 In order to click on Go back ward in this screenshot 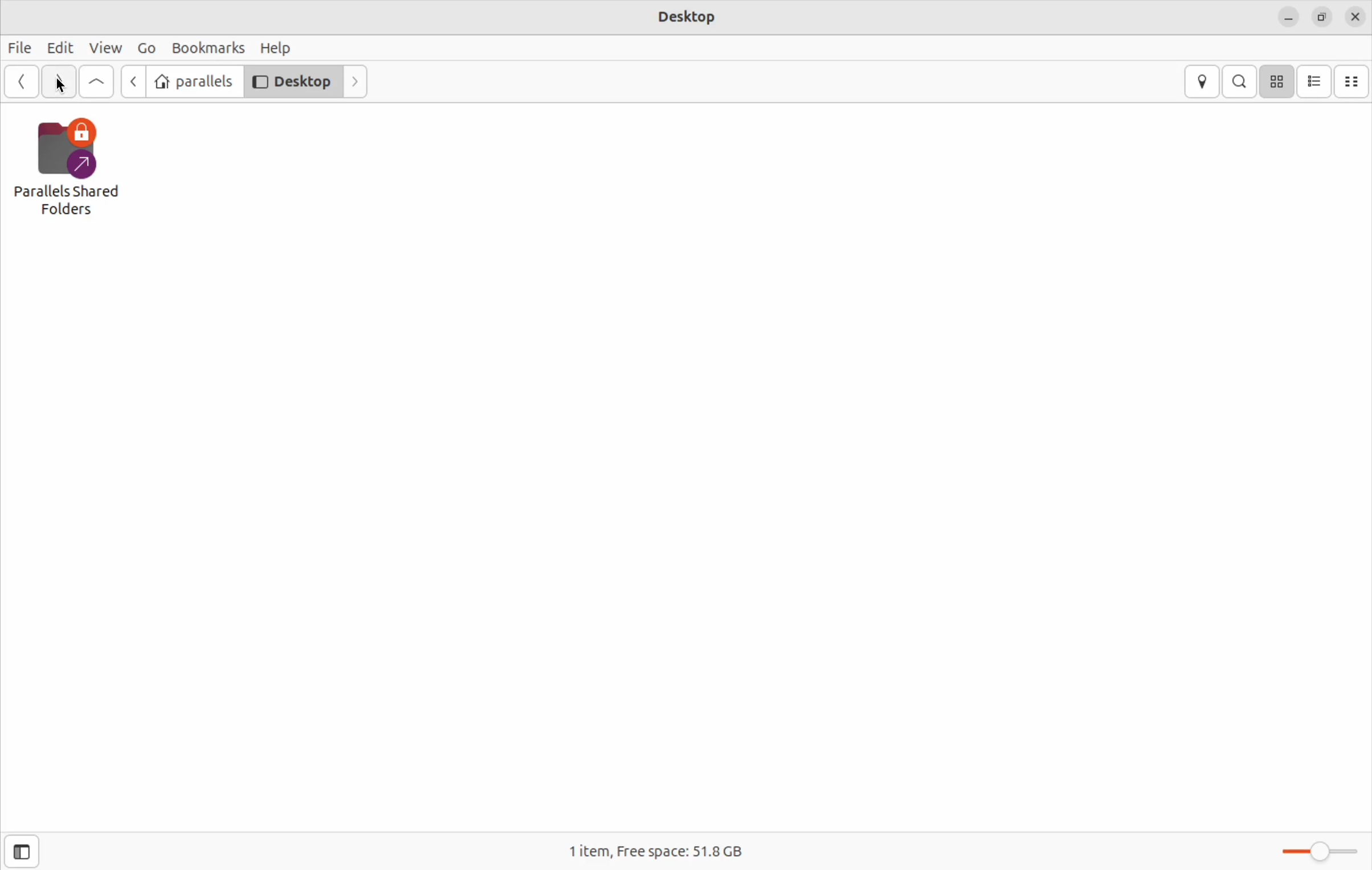, I will do `click(23, 81)`.